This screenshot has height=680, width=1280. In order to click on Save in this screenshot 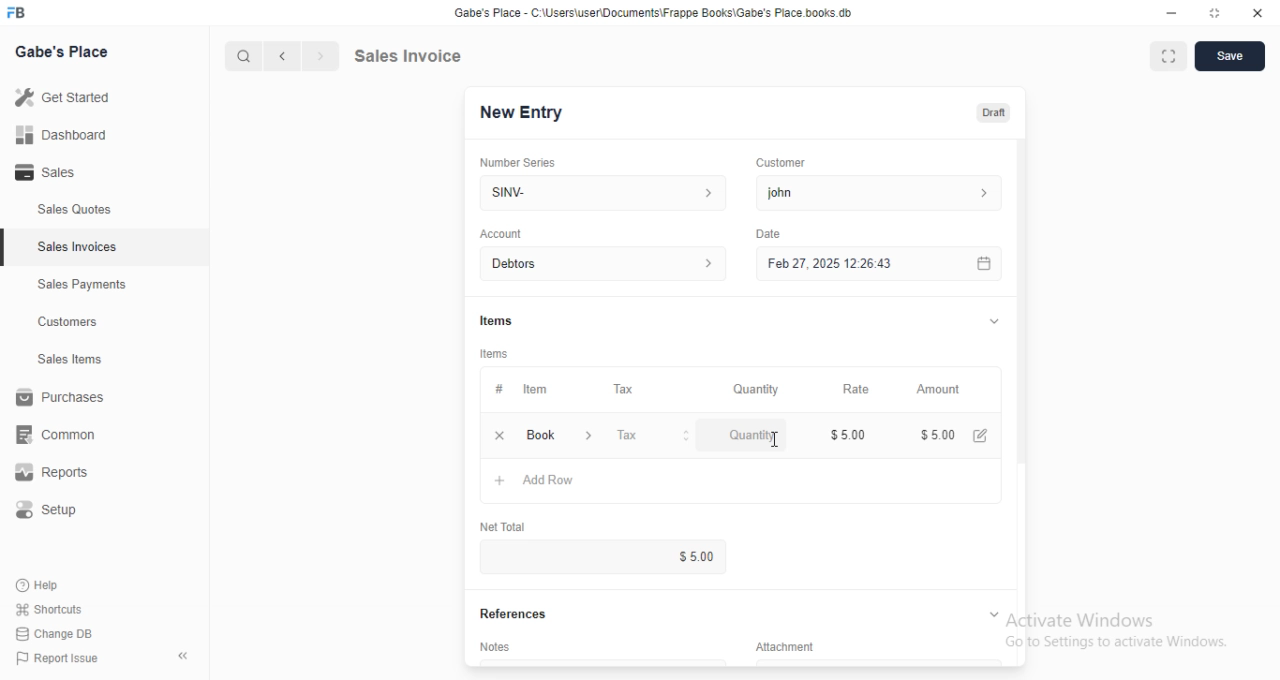, I will do `click(1233, 56)`.